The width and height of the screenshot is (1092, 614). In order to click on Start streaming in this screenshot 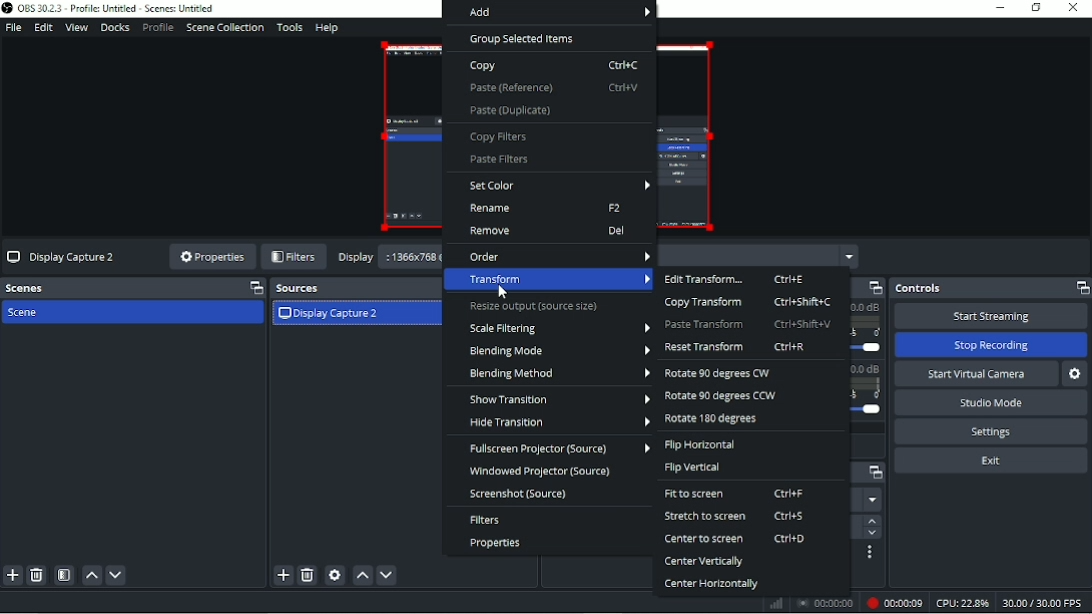, I will do `click(990, 316)`.